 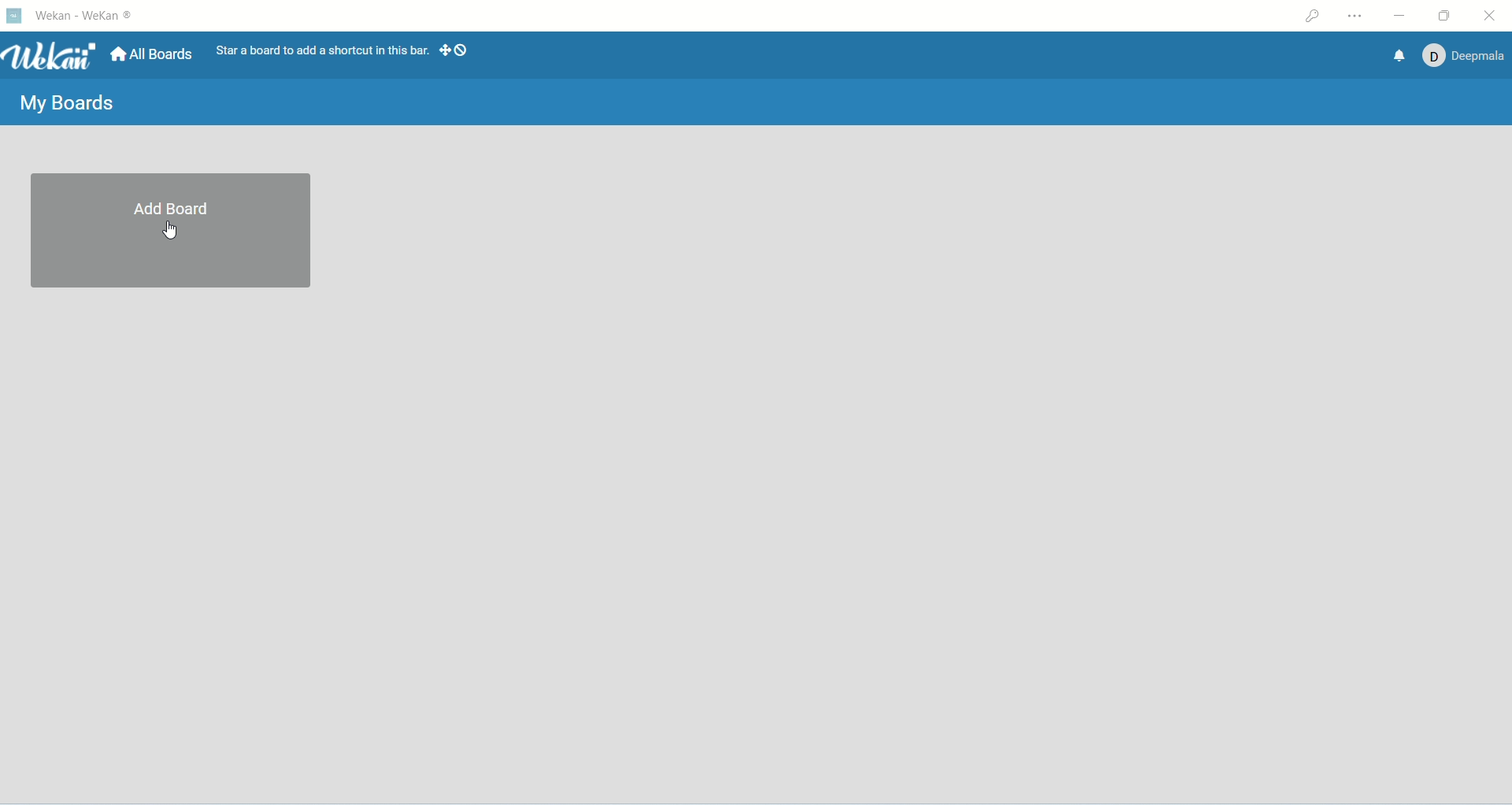 What do you see at coordinates (1354, 16) in the screenshot?
I see `settings and more` at bounding box center [1354, 16].